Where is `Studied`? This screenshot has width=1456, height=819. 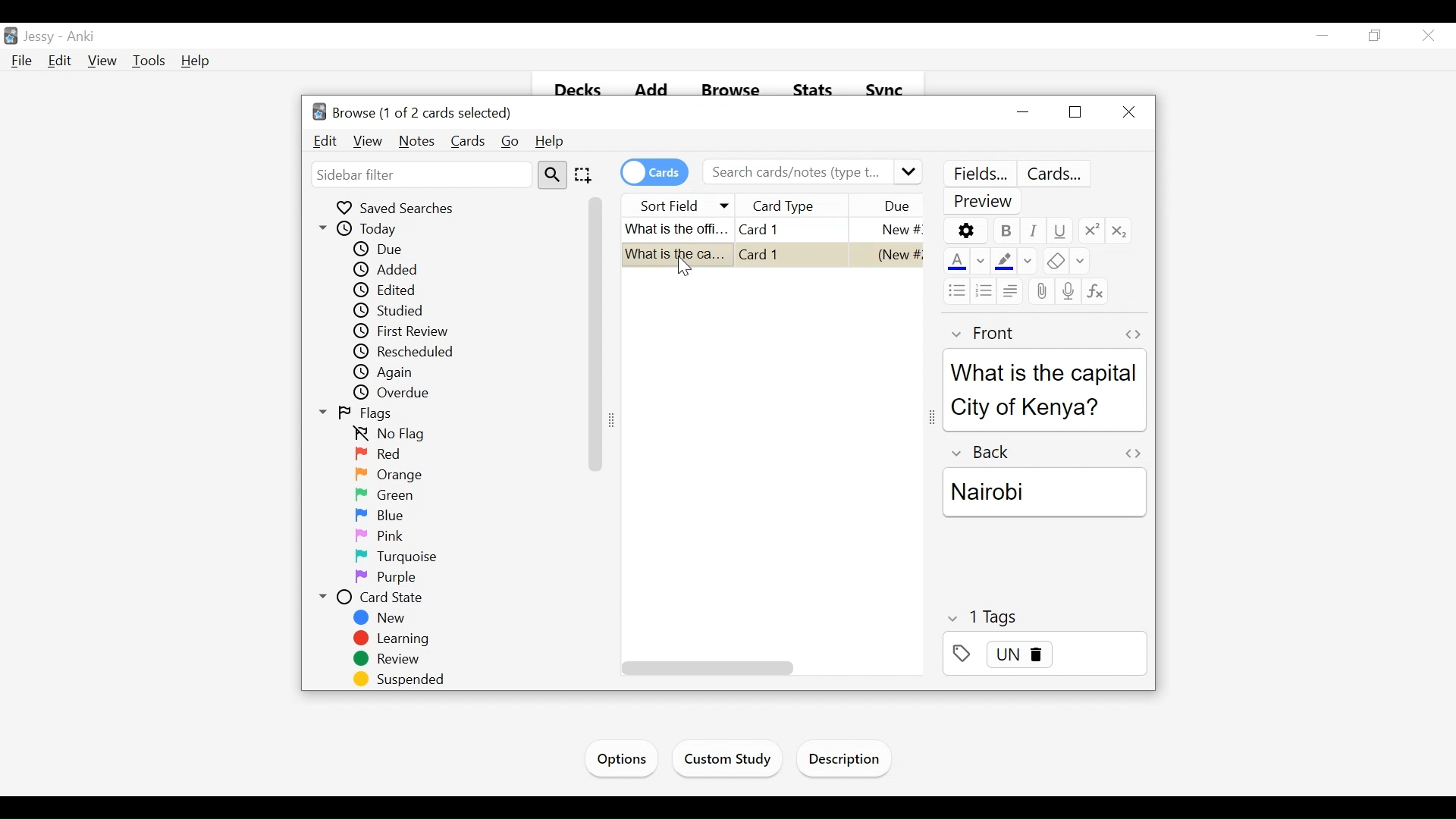 Studied is located at coordinates (406, 312).